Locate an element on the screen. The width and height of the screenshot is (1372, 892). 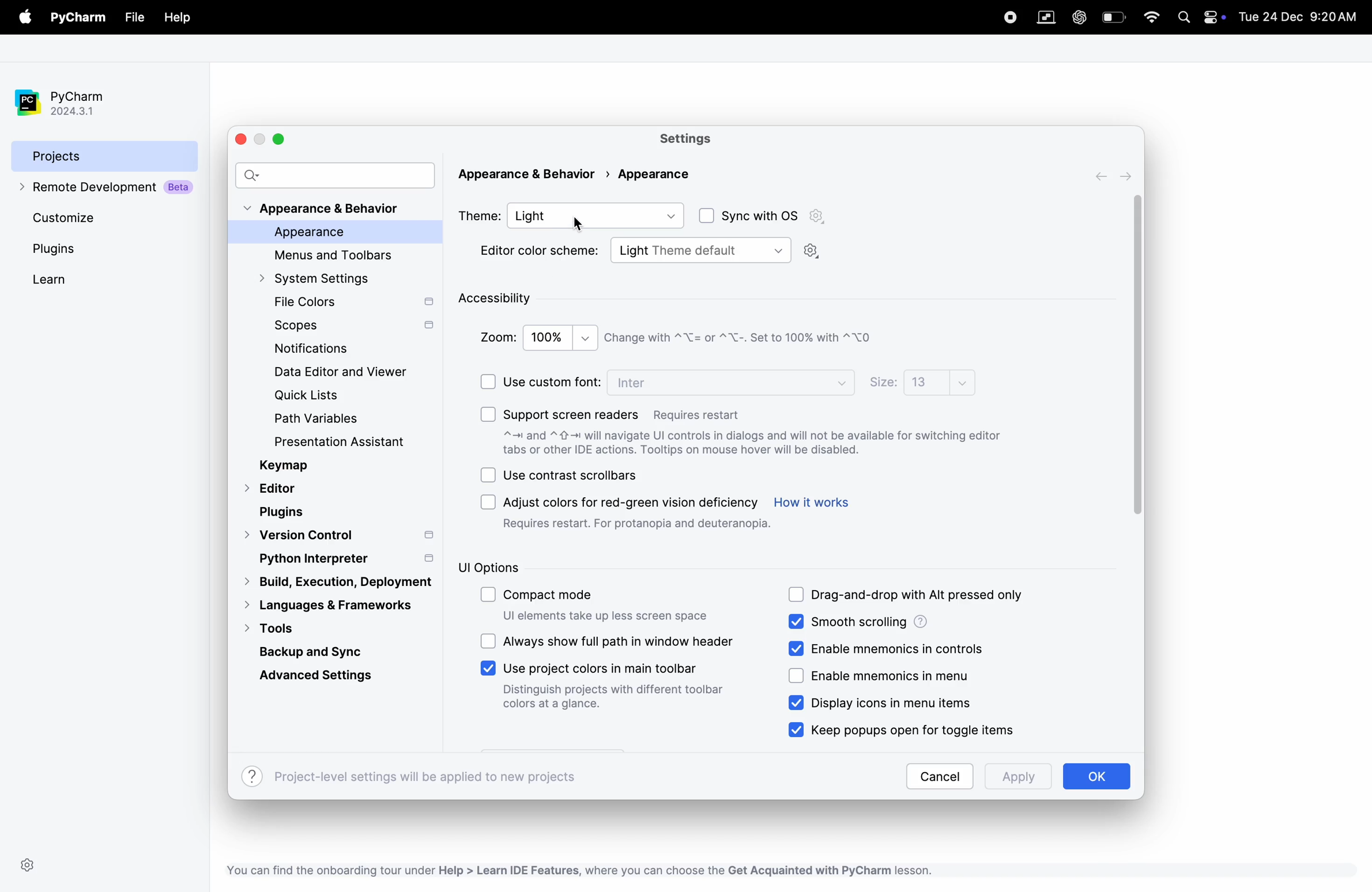
checkbox is located at coordinates (490, 381).